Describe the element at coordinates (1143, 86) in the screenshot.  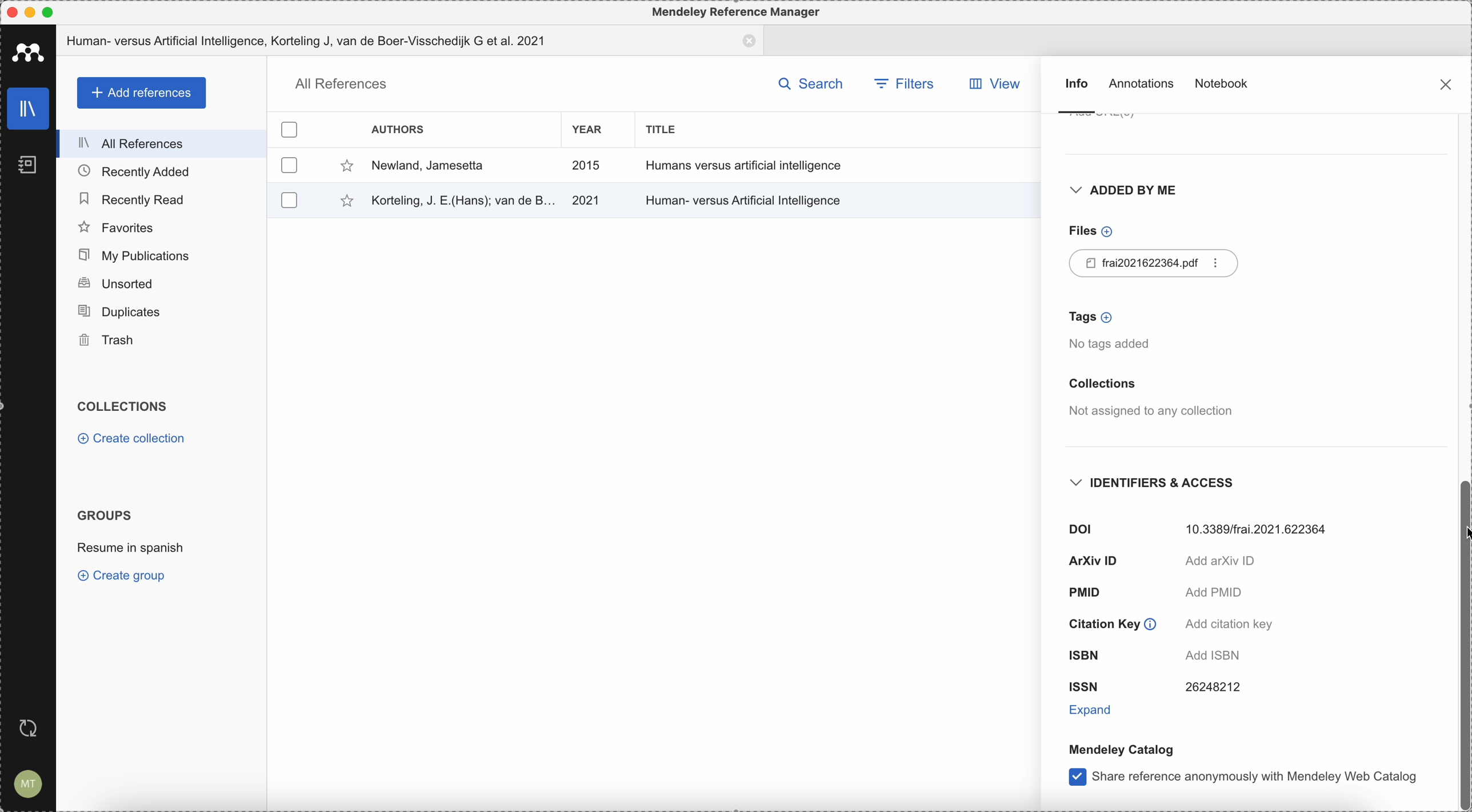
I see `annotations` at that location.